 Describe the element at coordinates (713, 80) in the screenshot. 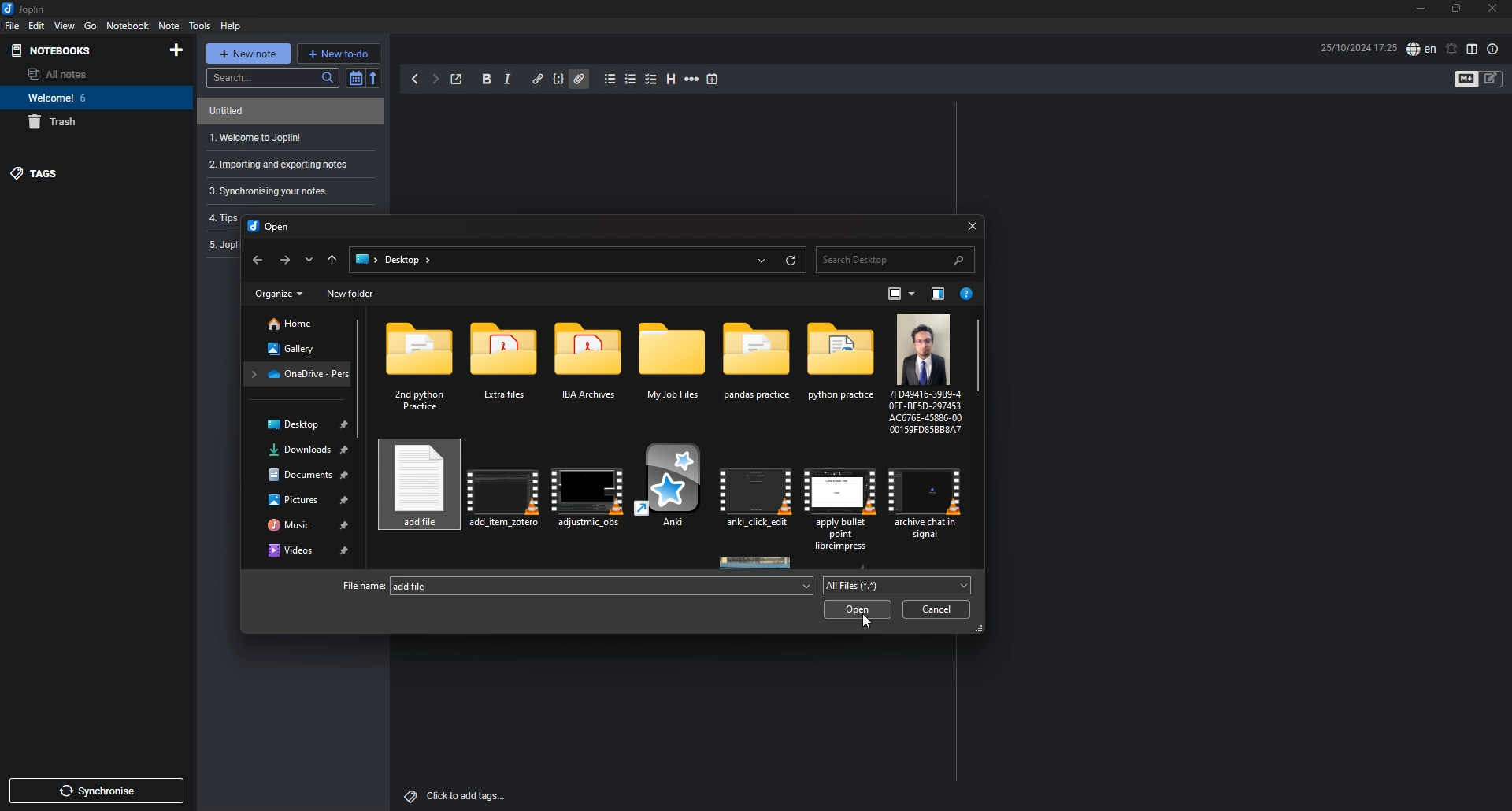

I see `insert time` at that location.